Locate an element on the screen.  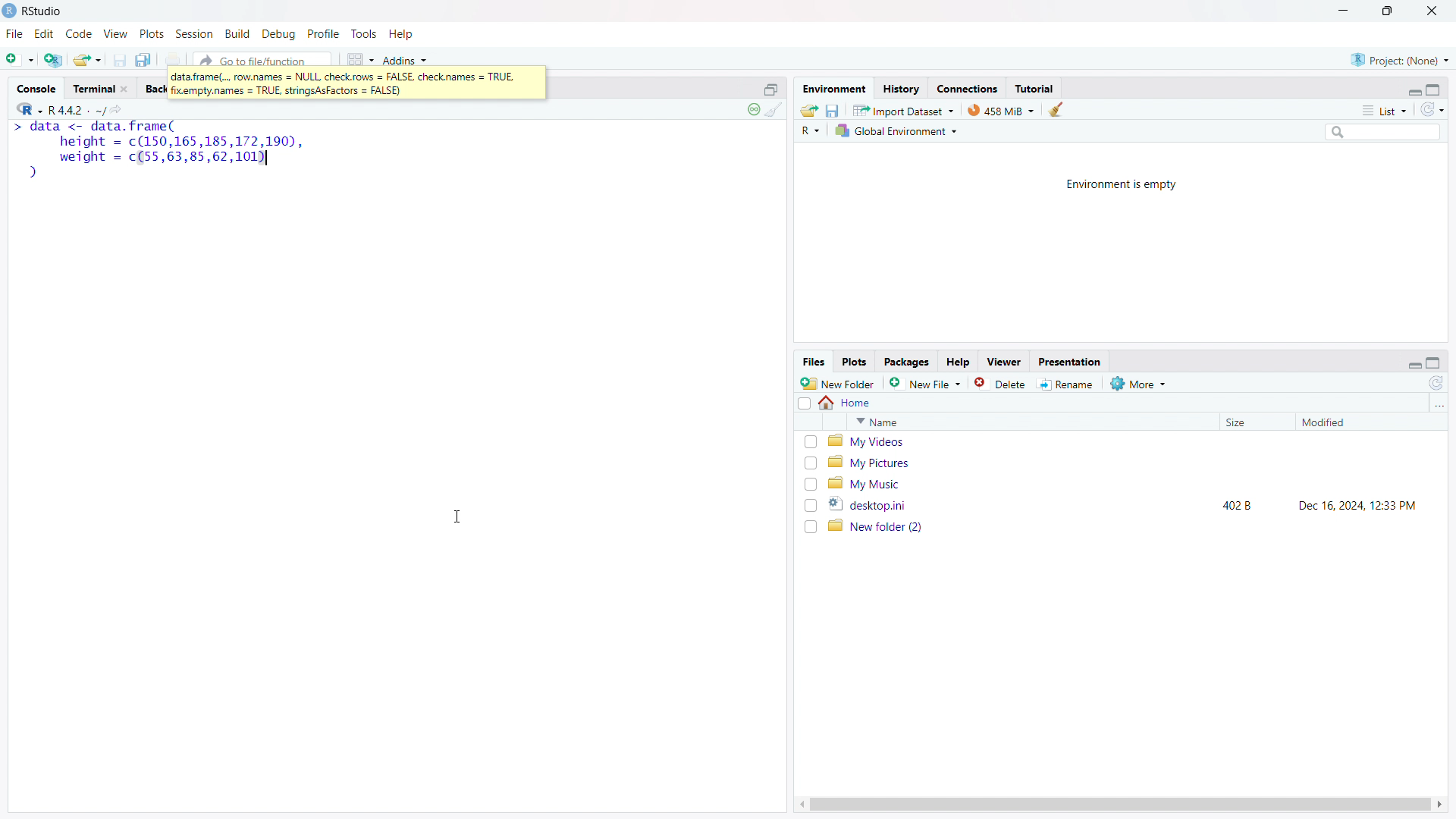
load workspace is located at coordinates (809, 109).